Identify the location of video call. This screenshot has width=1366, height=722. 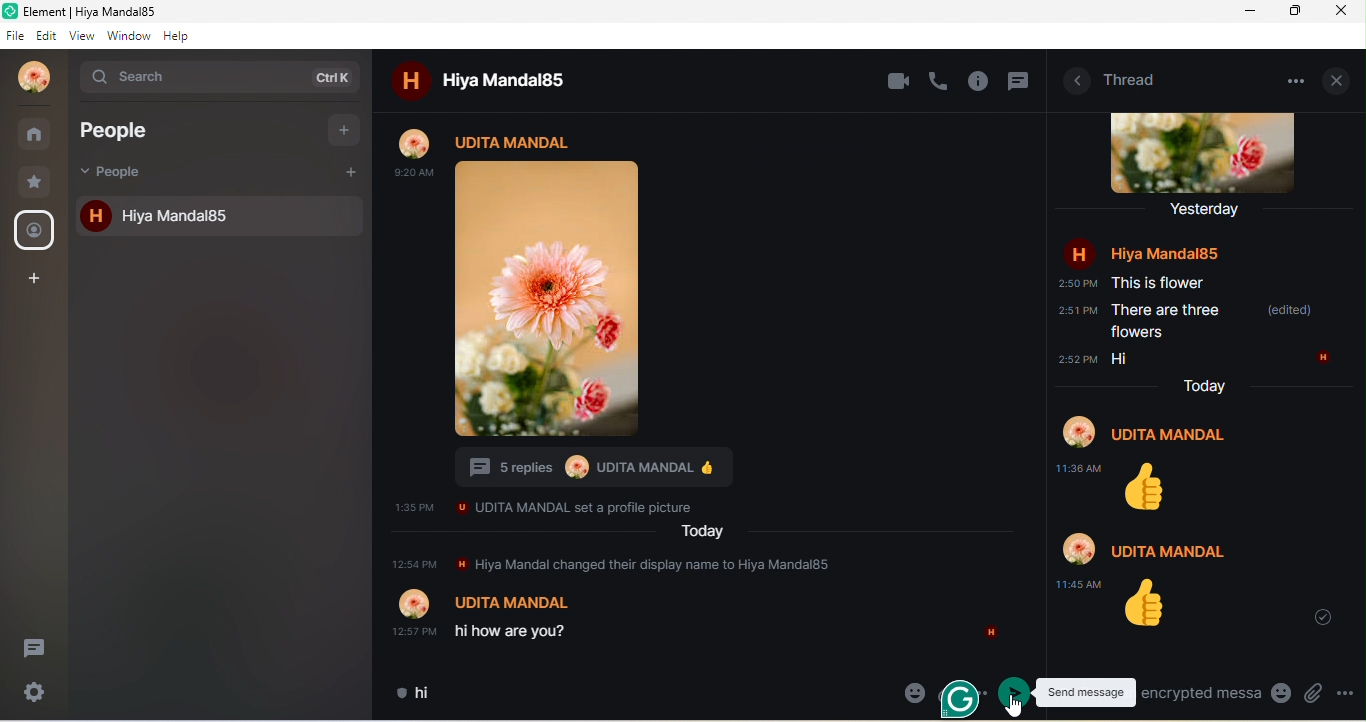
(899, 81).